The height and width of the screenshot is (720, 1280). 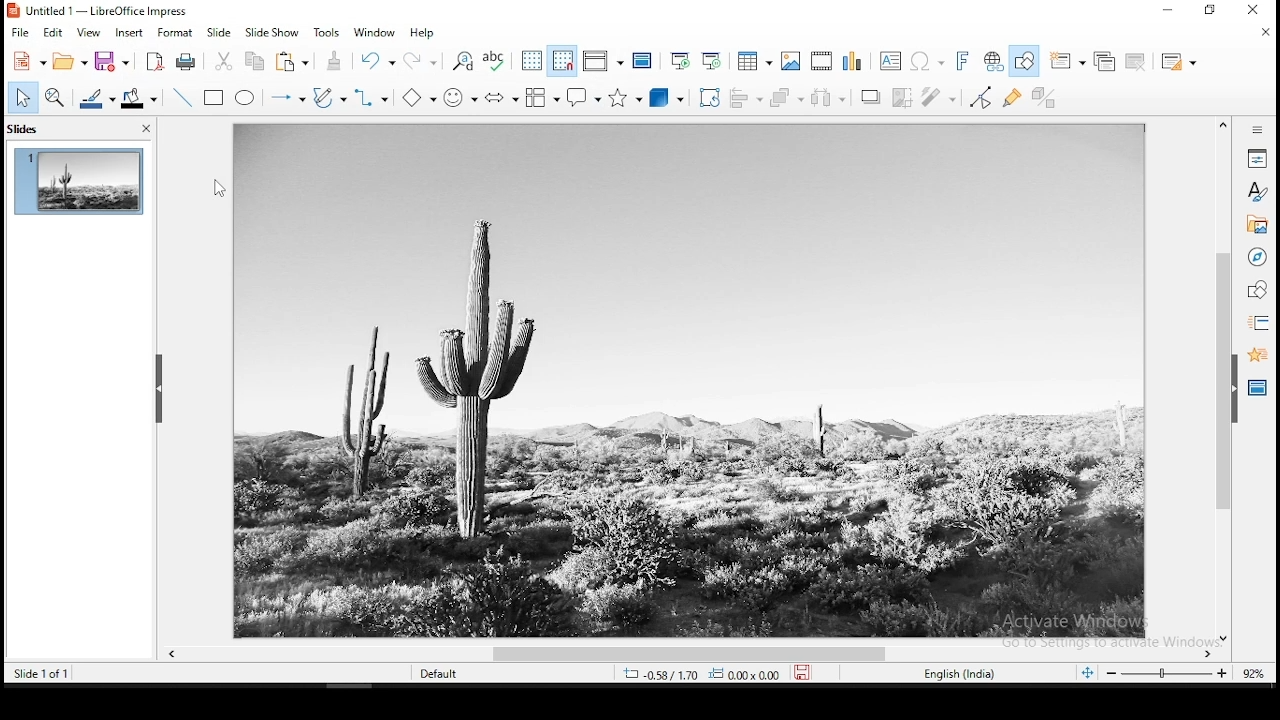 What do you see at coordinates (1257, 158) in the screenshot?
I see `properties` at bounding box center [1257, 158].